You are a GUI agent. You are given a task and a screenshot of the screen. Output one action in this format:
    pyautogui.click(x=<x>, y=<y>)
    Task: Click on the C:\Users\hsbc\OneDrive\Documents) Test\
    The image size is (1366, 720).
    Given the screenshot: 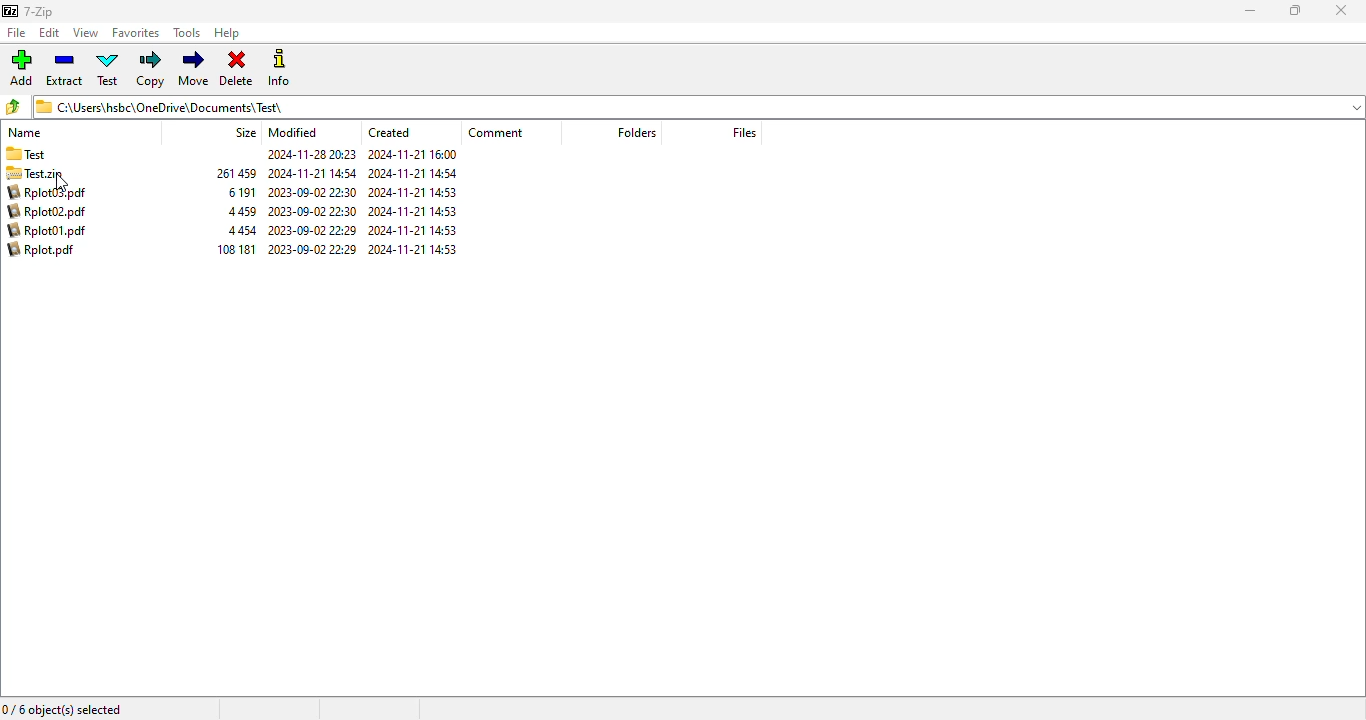 What is the action you would take?
    pyautogui.click(x=686, y=107)
    